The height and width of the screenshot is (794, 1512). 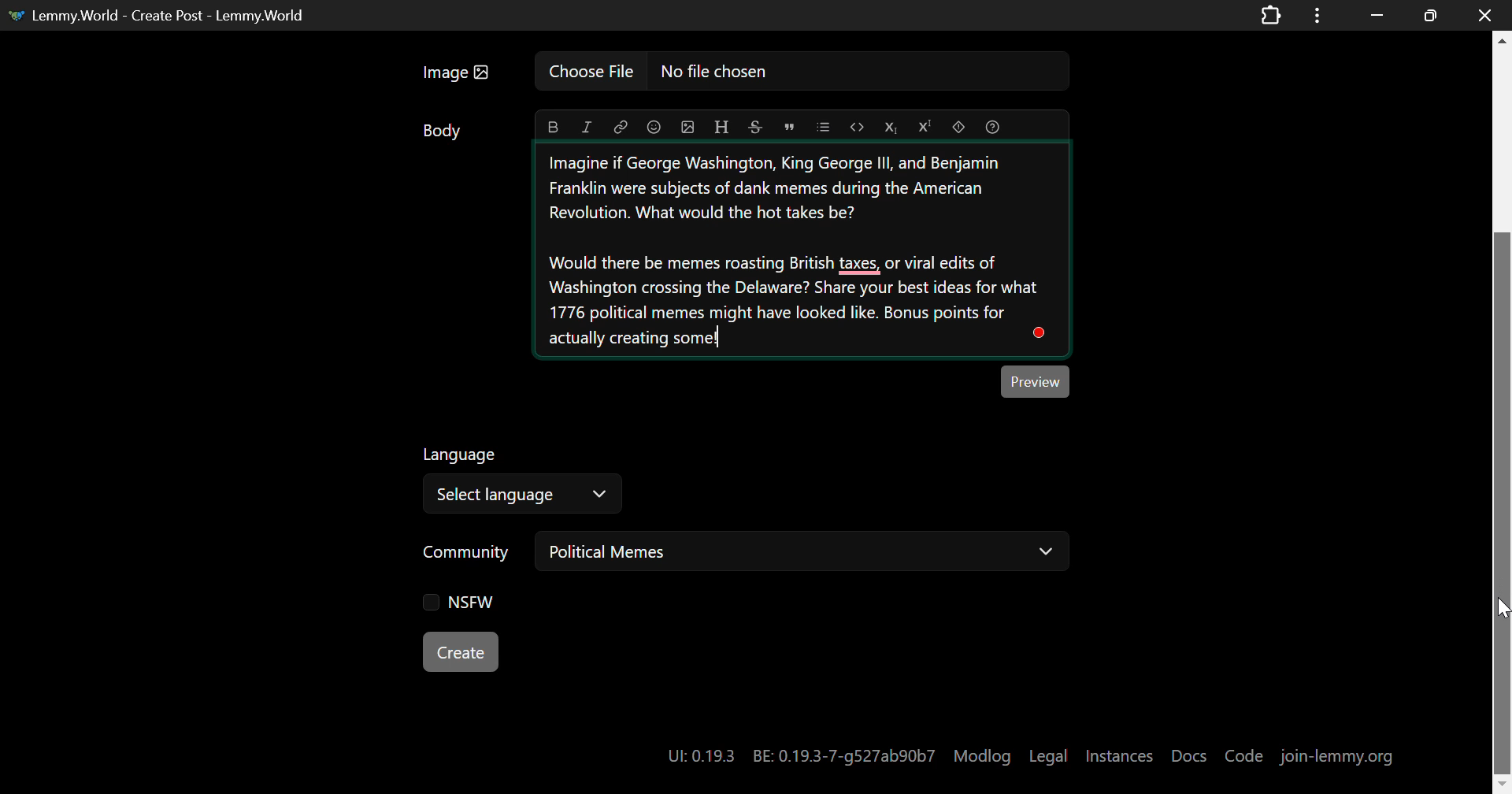 What do you see at coordinates (1190, 756) in the screenshot?
I see `Docs` at bounding box center [1190, 756].